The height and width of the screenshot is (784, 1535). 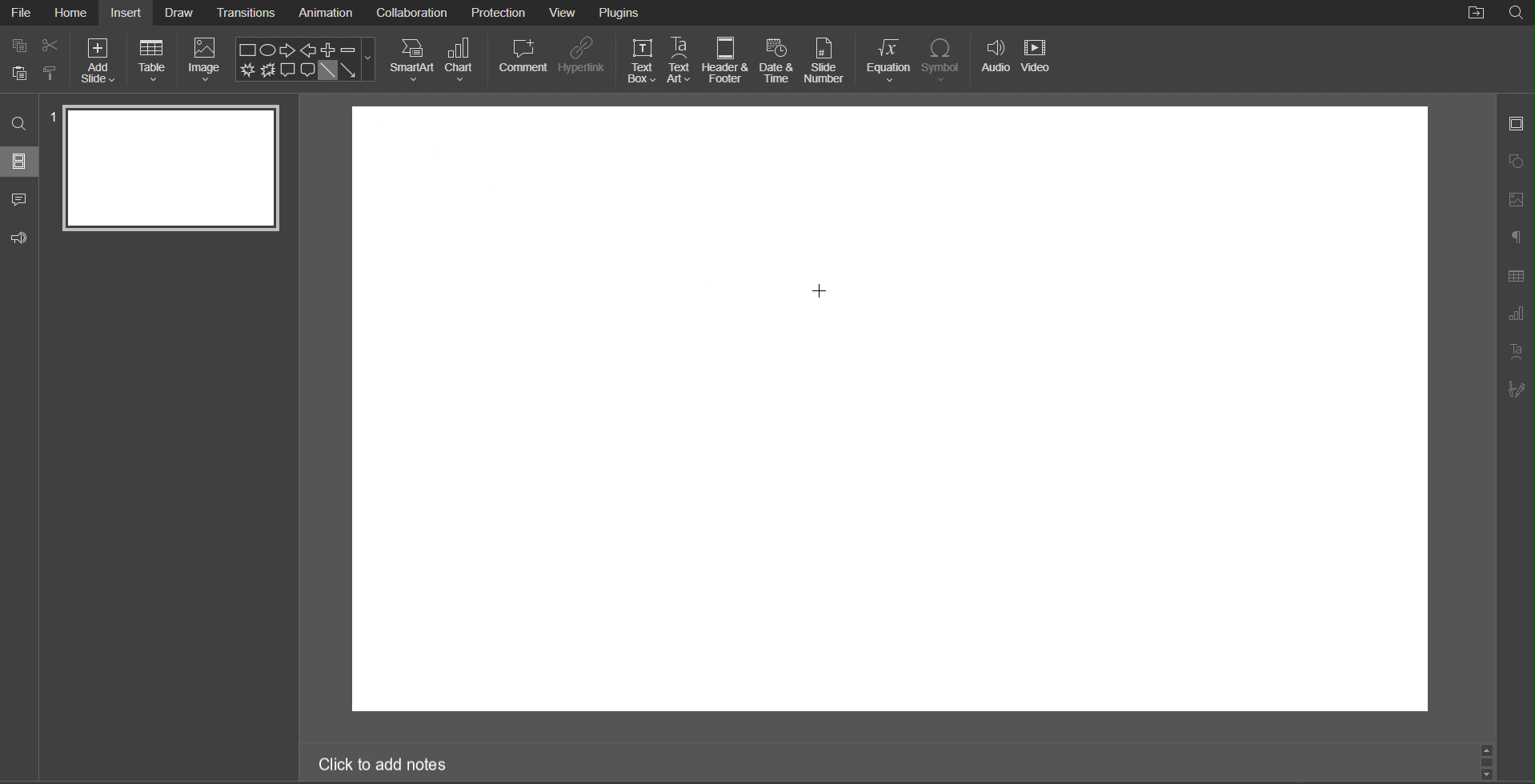 What do you see at coordinates (582, 61) in the screenshot?
I see `Hyperlink` at bounding box center [582, 61].